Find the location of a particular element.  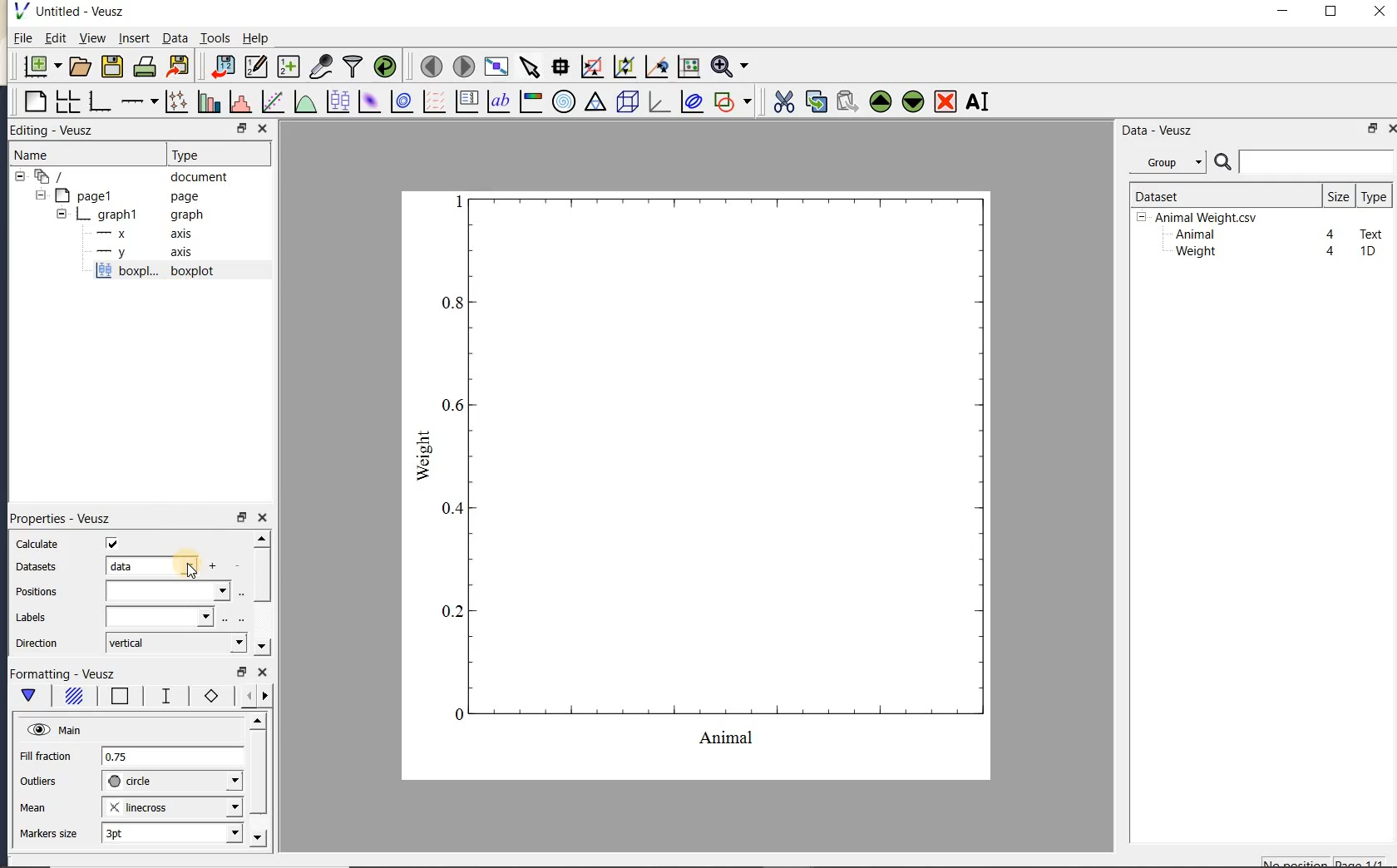

Type is located at coordinates (215, 153).